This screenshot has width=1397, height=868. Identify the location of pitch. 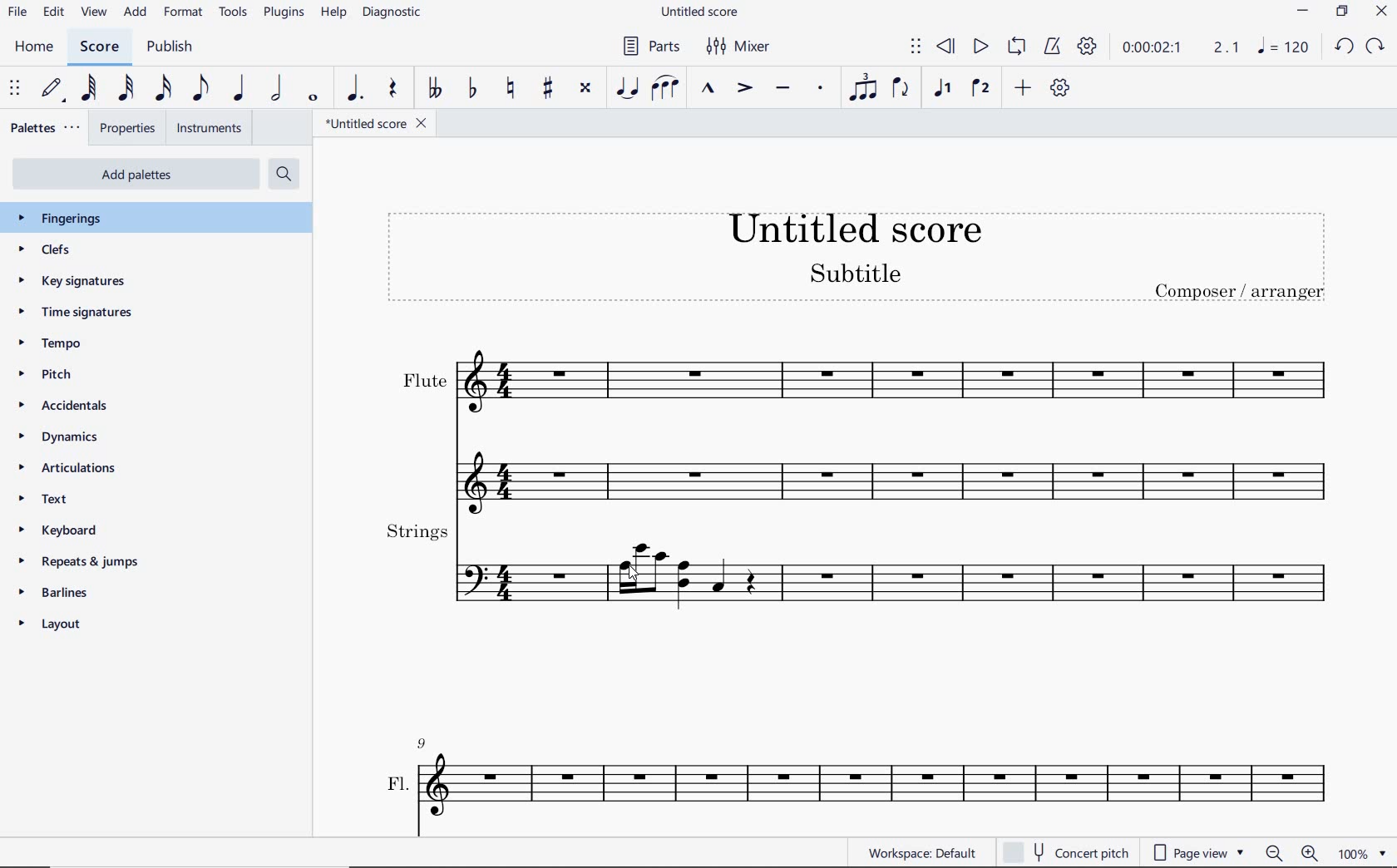
(60, 375).